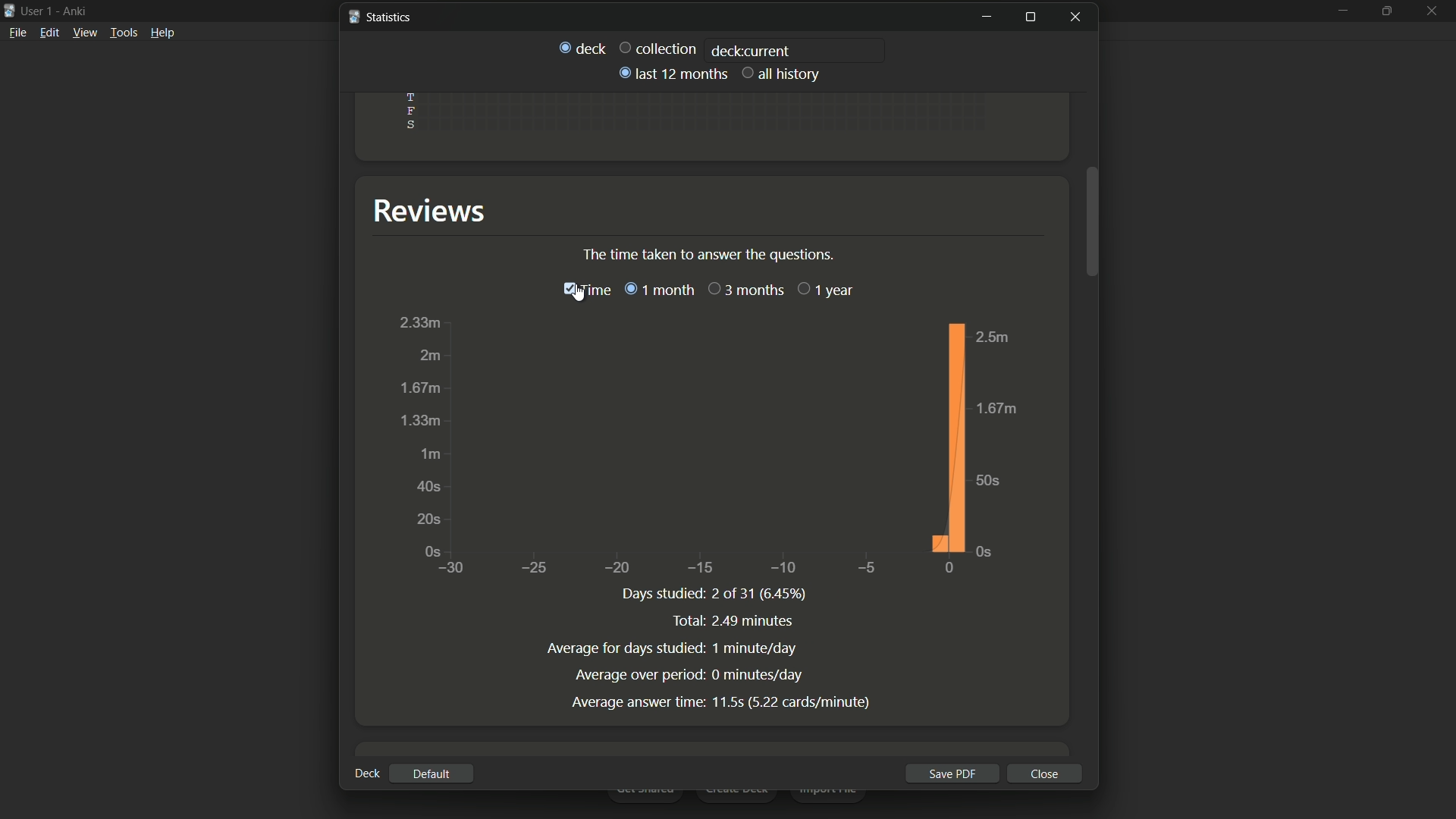 This screenshot has height=819, width=1456. Describe the element at coordinates (1029, 17) in the screenshot. I see `maximize` at that location.